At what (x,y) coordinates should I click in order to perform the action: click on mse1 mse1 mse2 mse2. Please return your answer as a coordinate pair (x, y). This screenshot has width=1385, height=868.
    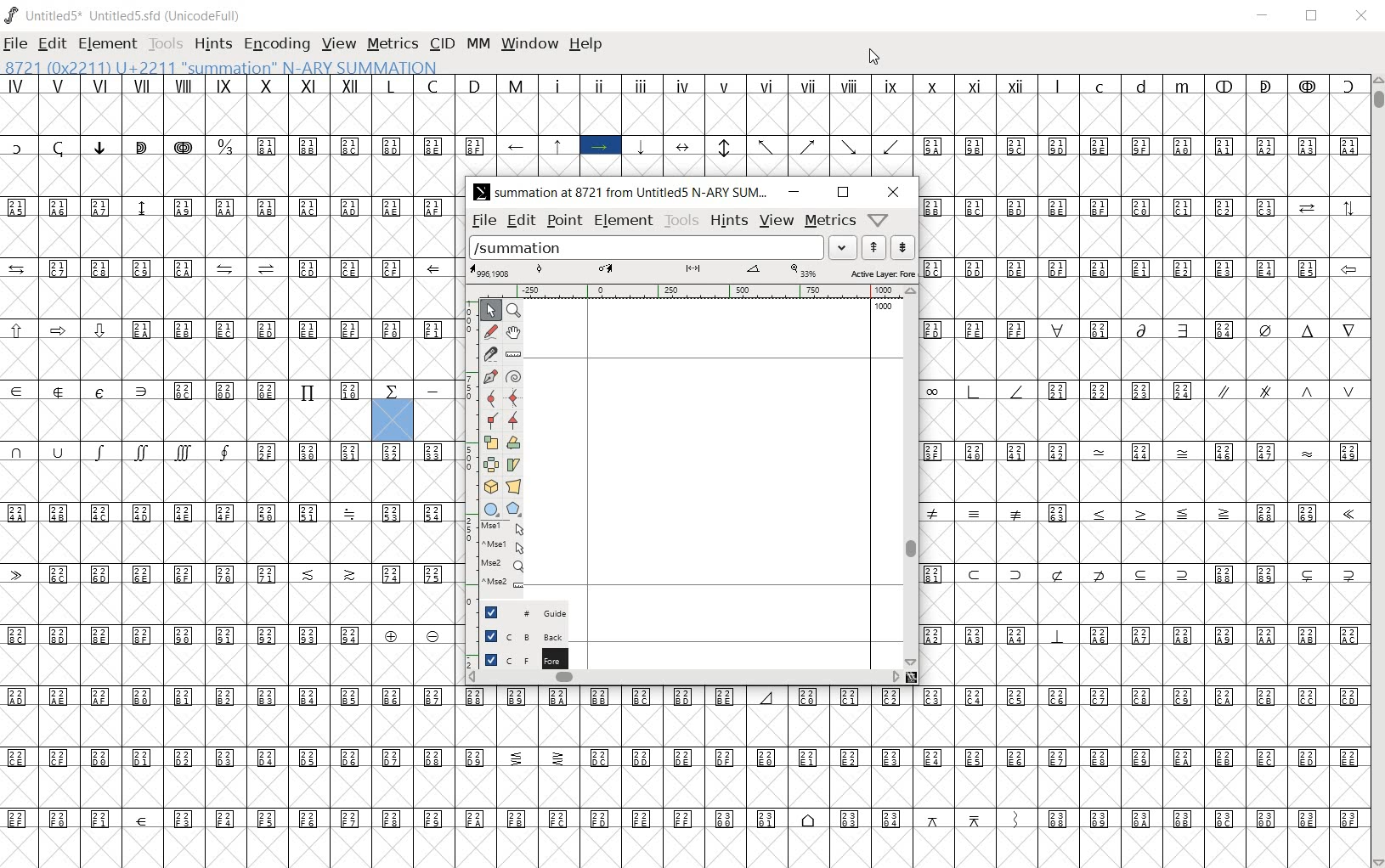
    Looking at the image, I should click on (501, 555).